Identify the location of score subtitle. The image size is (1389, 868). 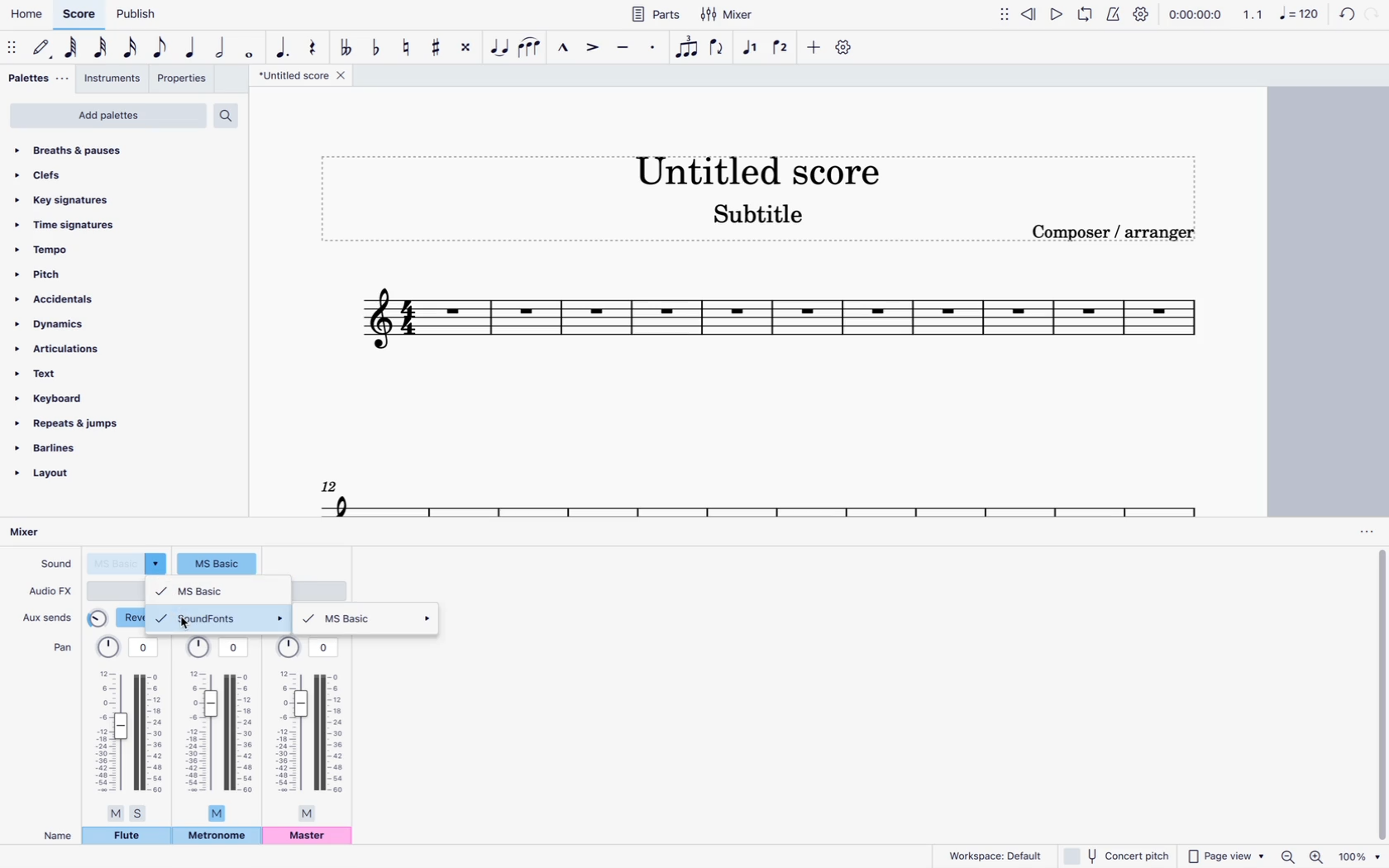
(759, 218).